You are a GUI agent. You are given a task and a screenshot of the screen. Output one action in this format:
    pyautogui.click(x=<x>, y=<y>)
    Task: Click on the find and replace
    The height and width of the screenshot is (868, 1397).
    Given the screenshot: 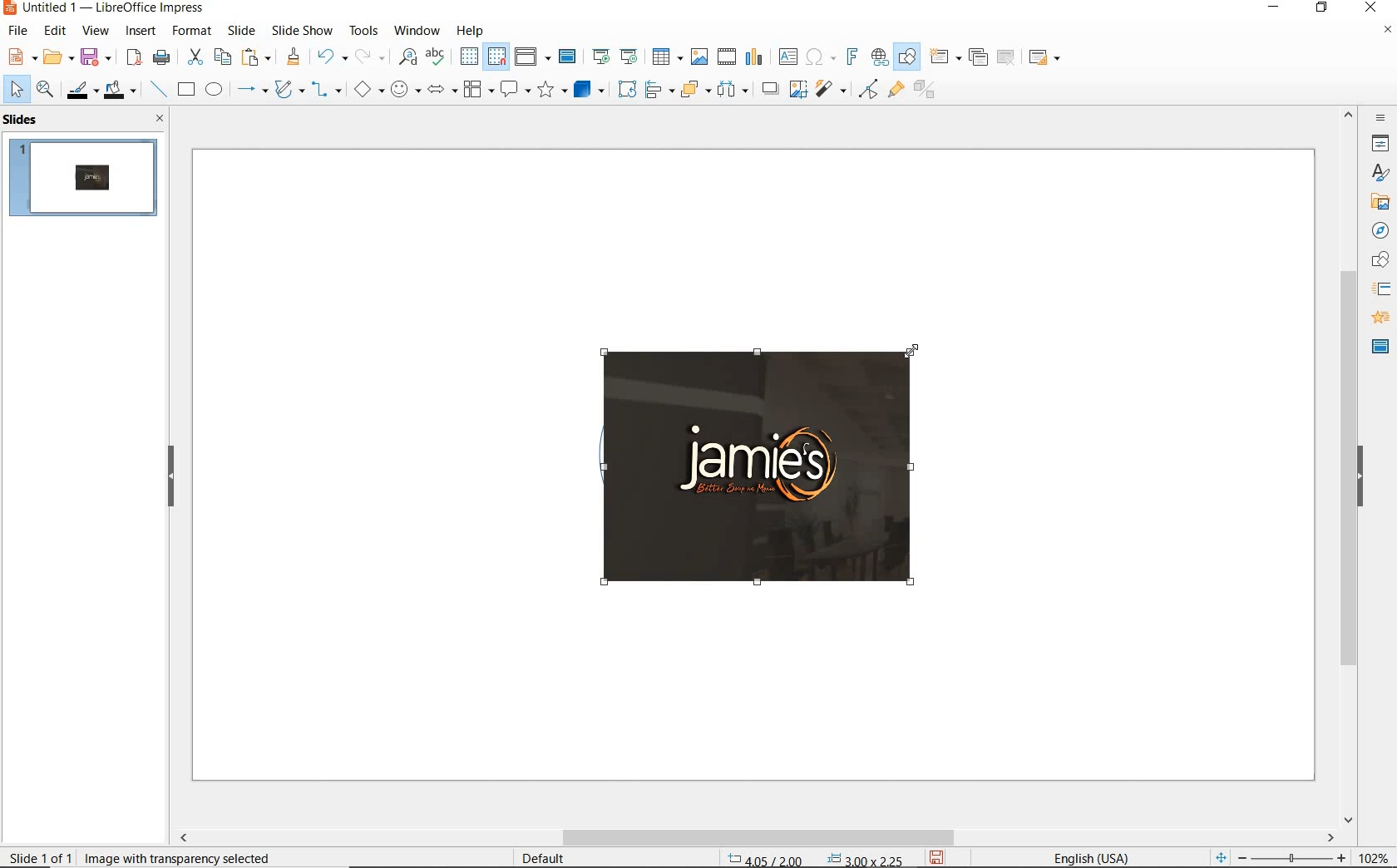 What is the action you would take?
    pyautogui.click(x=407, y=57)
    